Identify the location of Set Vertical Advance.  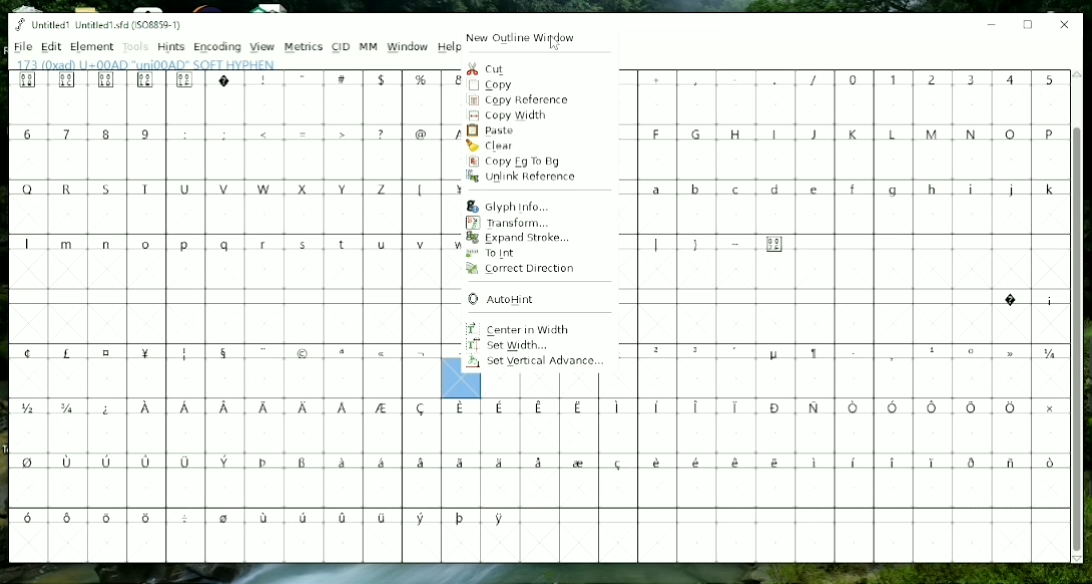
(538, 362).